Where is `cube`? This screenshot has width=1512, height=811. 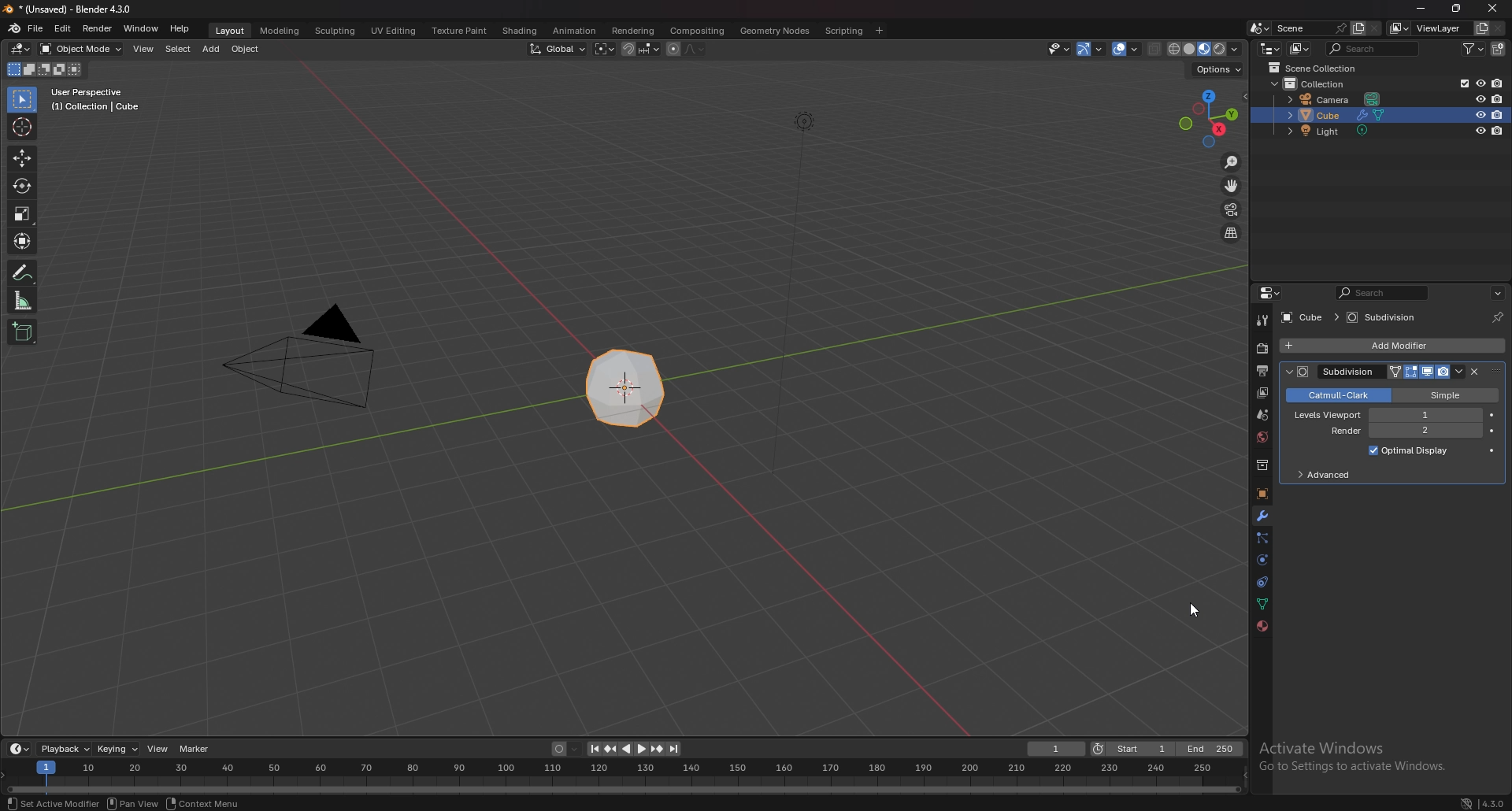 cube is located at coordinates (1301, 317).